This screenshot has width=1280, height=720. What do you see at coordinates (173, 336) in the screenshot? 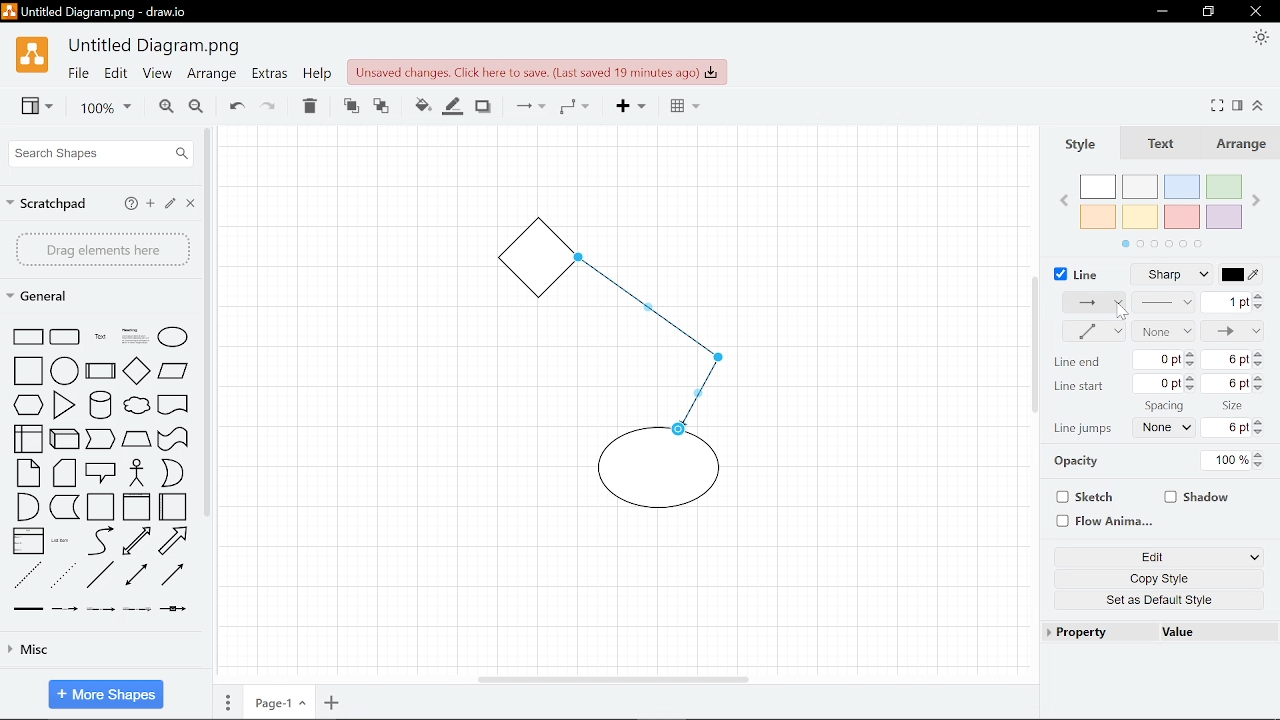
I see `shape` at bounding box center [173, 336].